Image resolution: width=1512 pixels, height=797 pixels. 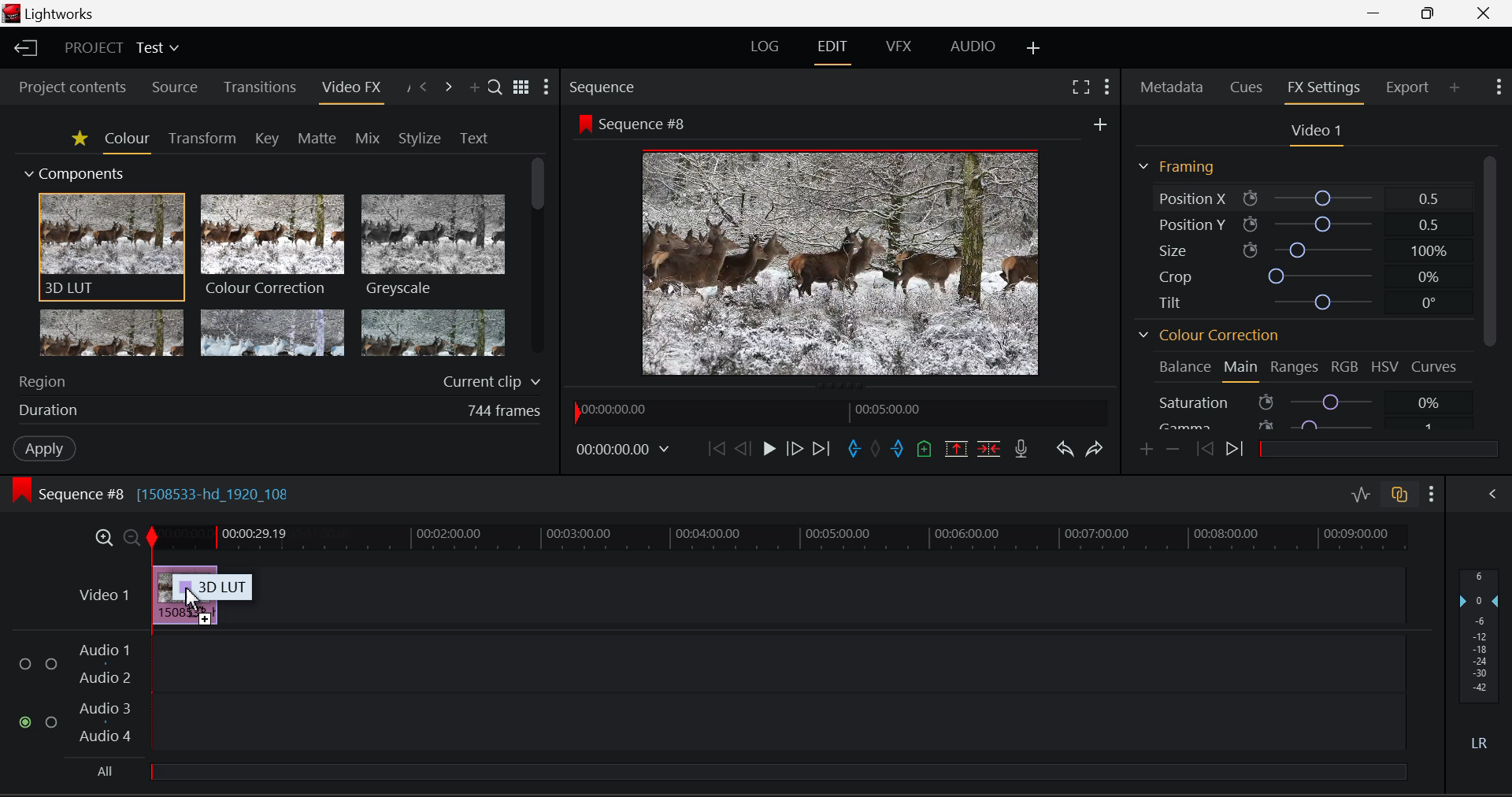 I want to click on Project Timeline Navigator, so click(x=838, y=413).